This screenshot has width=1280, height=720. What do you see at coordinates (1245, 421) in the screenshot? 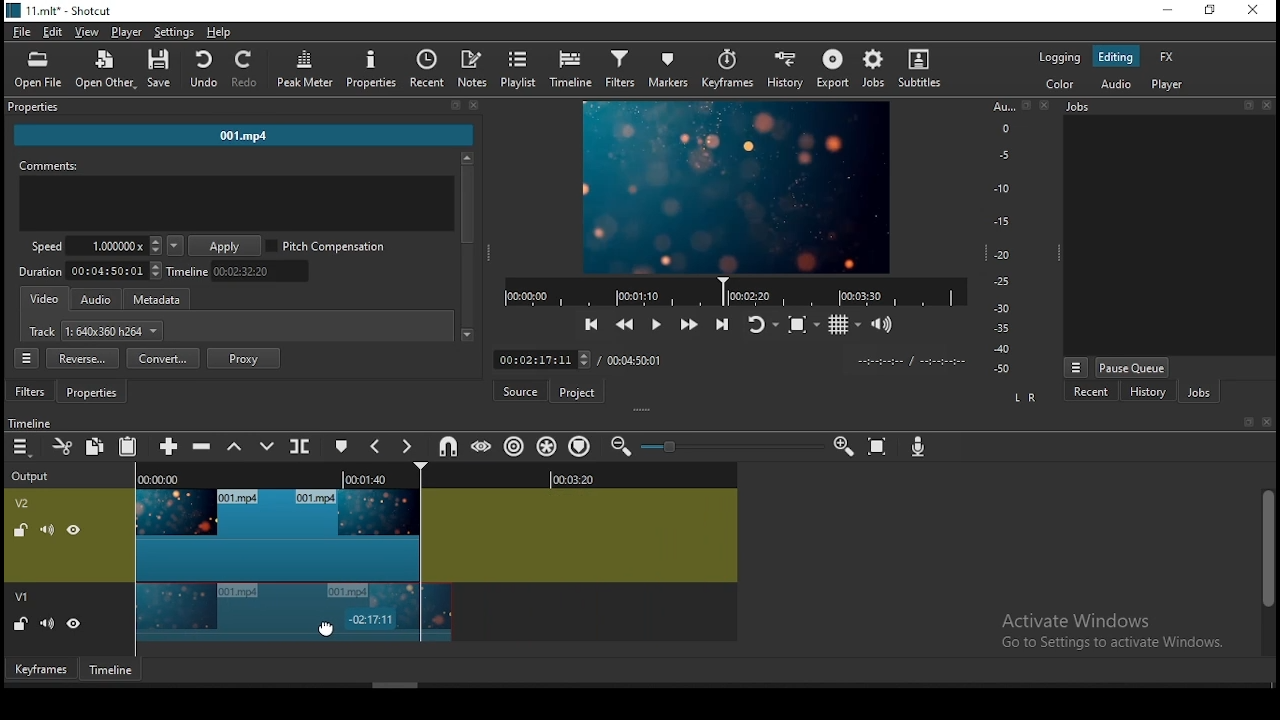
I see `MAXIMIZE` at bounding box center [1245, 421].